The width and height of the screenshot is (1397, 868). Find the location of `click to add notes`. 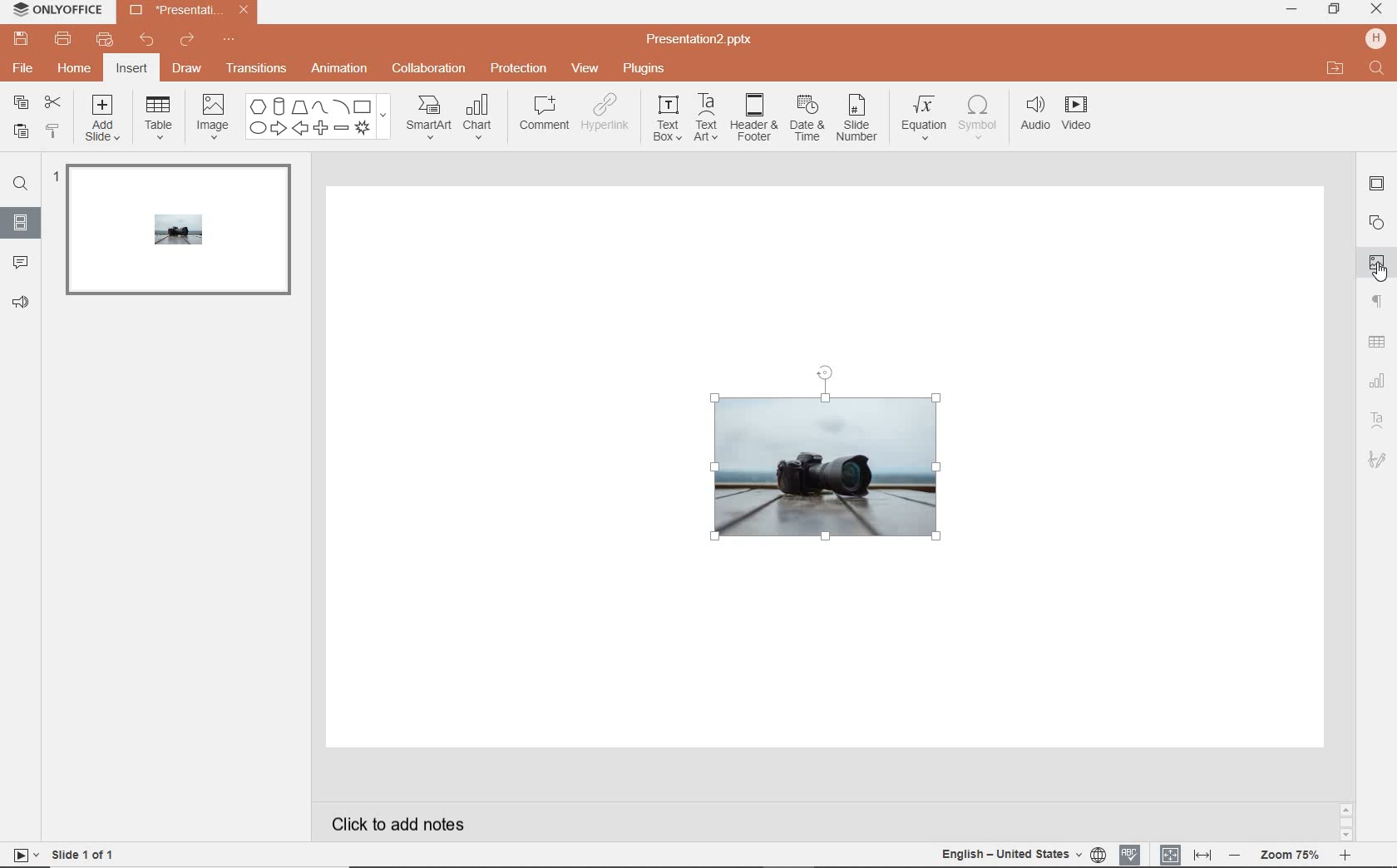

click to add notes is located at coordinates (437, 821).